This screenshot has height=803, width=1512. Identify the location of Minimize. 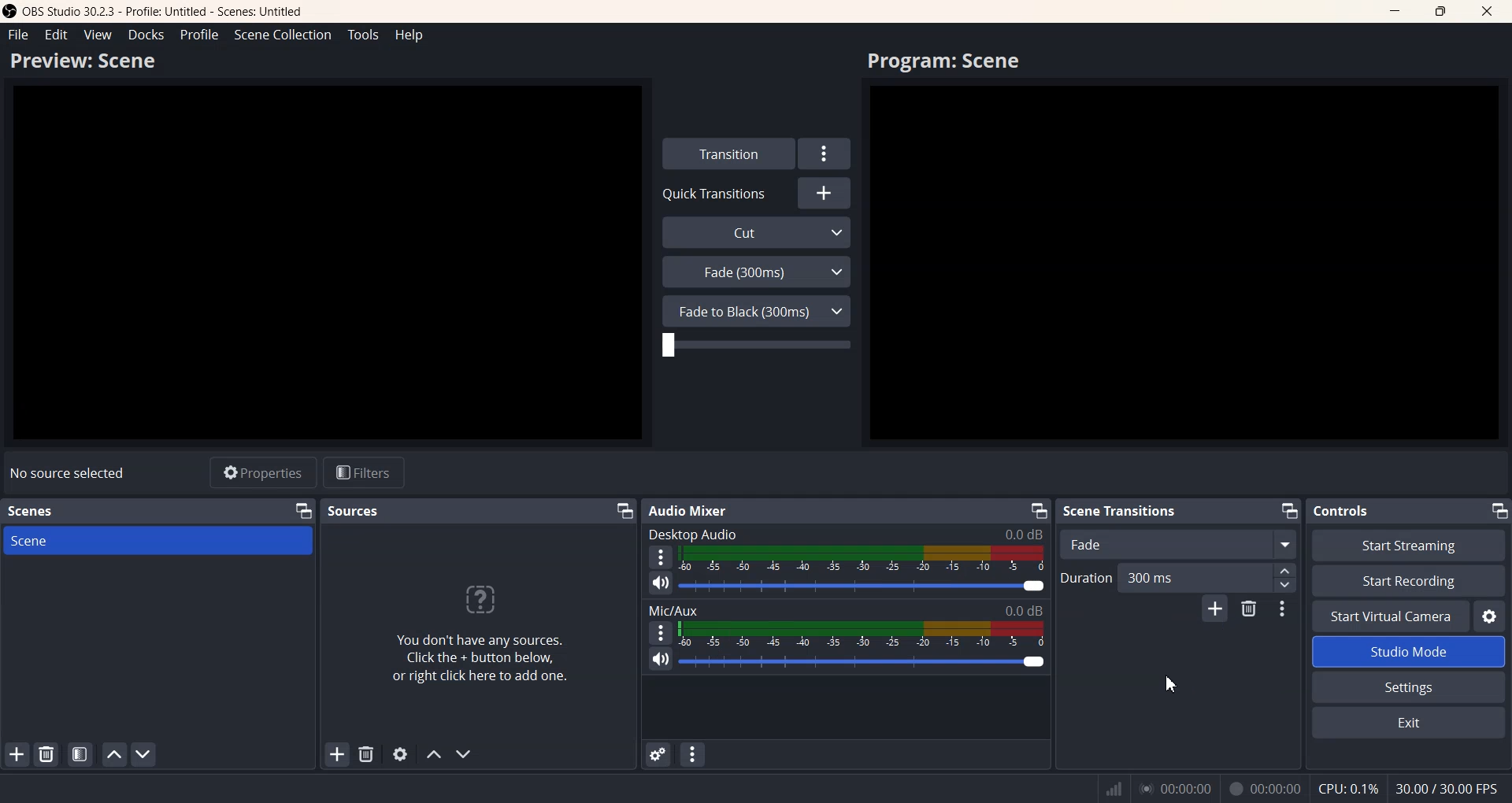
(302, 512).